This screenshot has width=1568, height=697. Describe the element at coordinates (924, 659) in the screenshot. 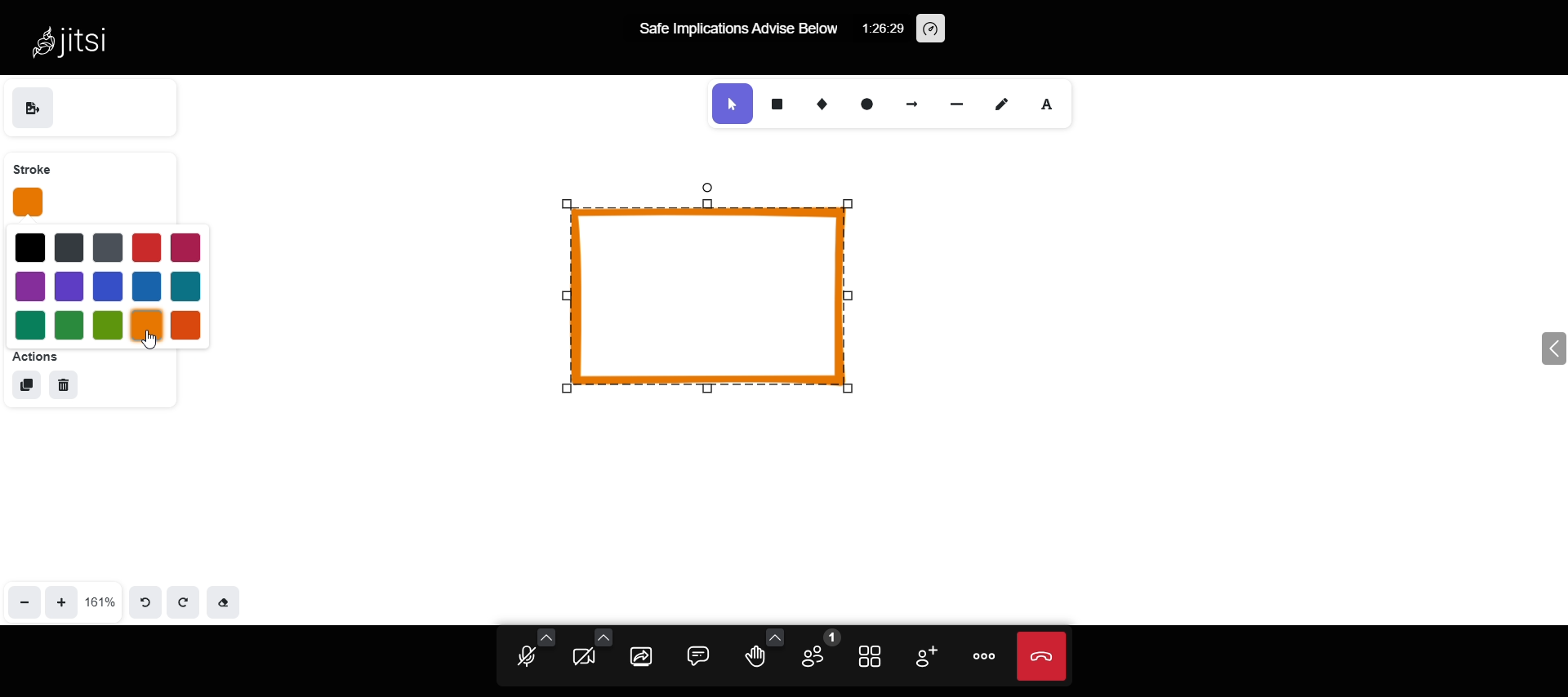

I see `invite participants` at that location.